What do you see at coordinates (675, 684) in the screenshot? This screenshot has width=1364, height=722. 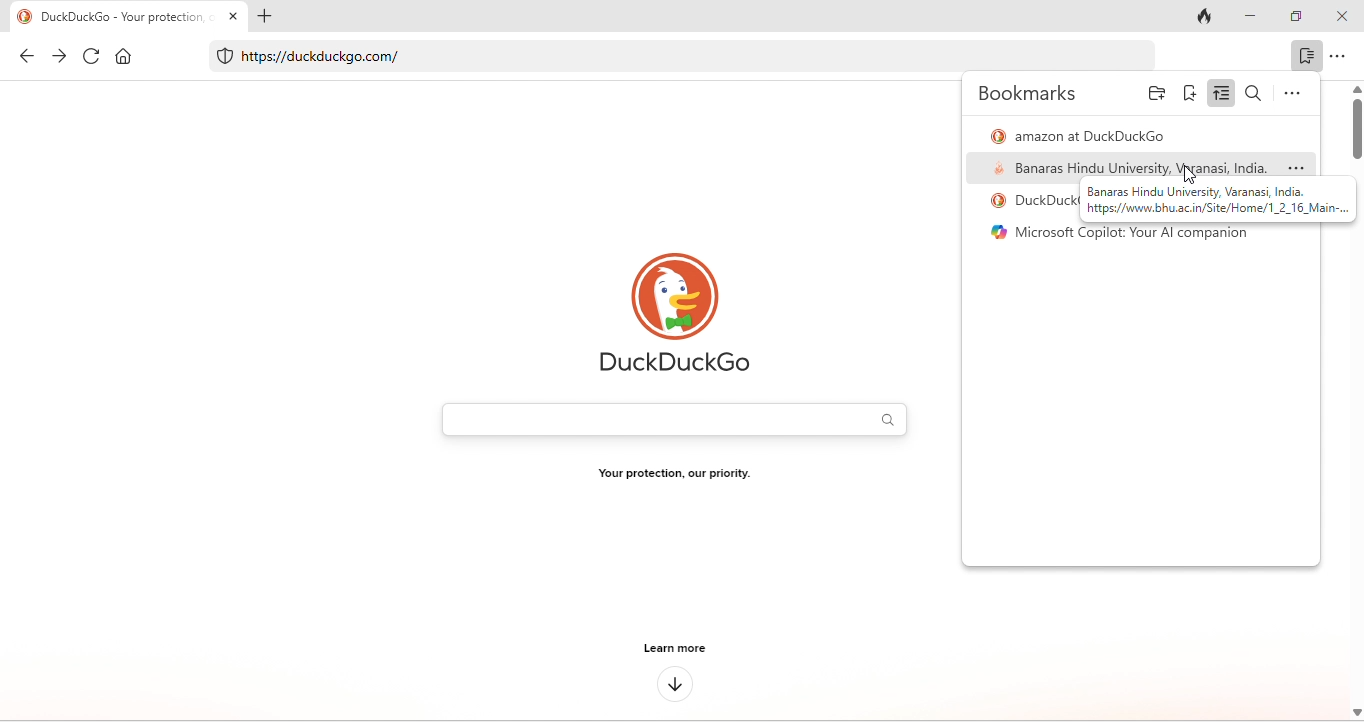 I see `down arrow` at bounding box center [675, 684].